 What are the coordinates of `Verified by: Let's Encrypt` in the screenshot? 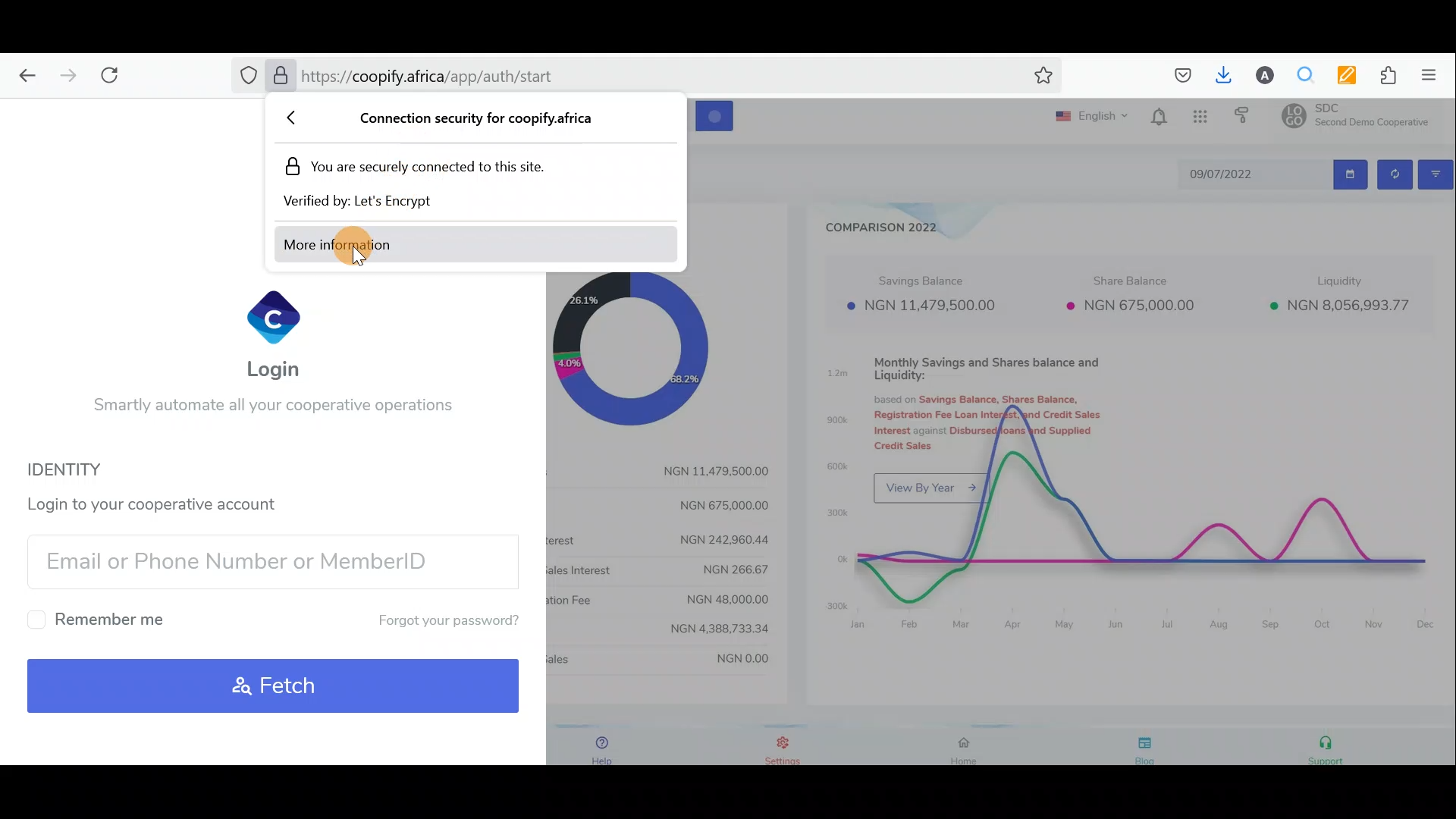 It's located at (370, 201).